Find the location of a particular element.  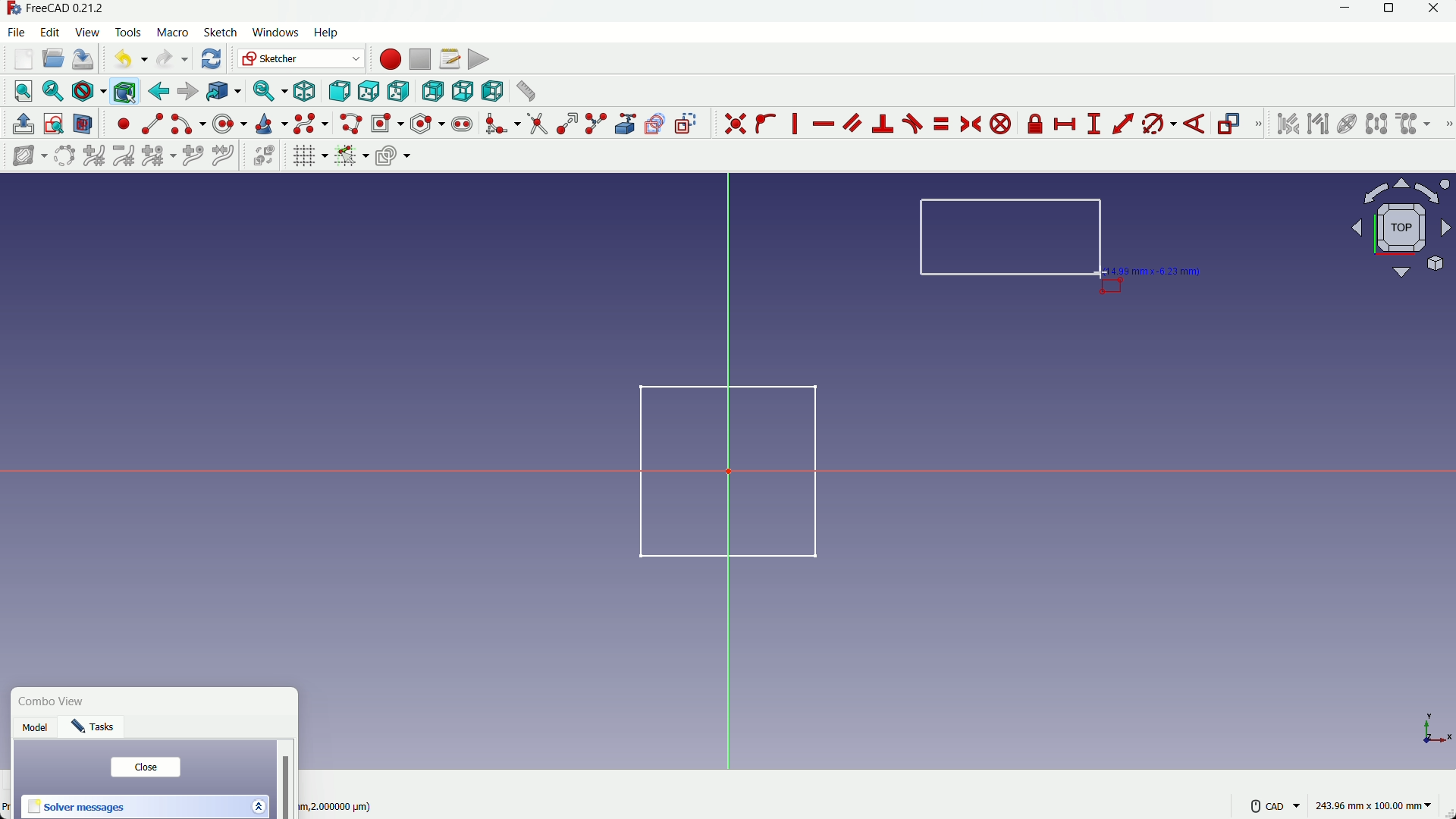

save file is located at coordinates (83, 60).